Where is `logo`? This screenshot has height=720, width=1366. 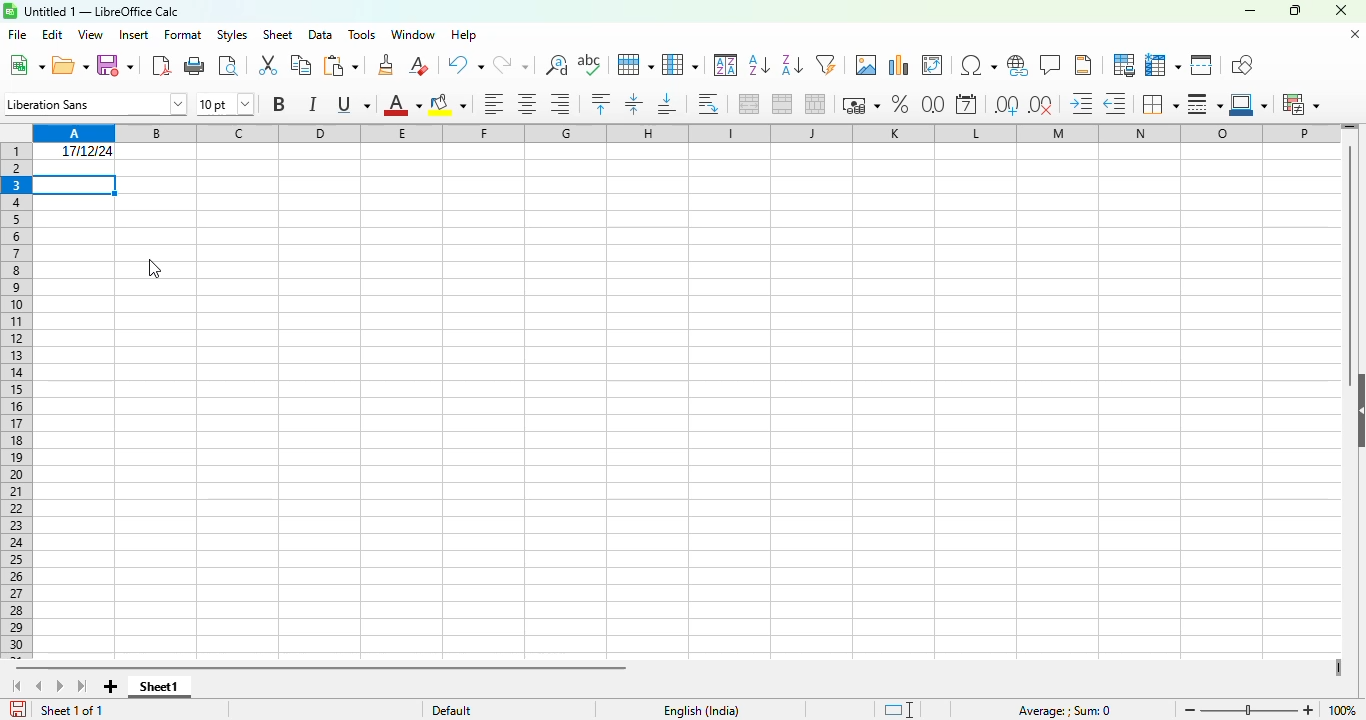
logo is located at coordinates (10, 11).